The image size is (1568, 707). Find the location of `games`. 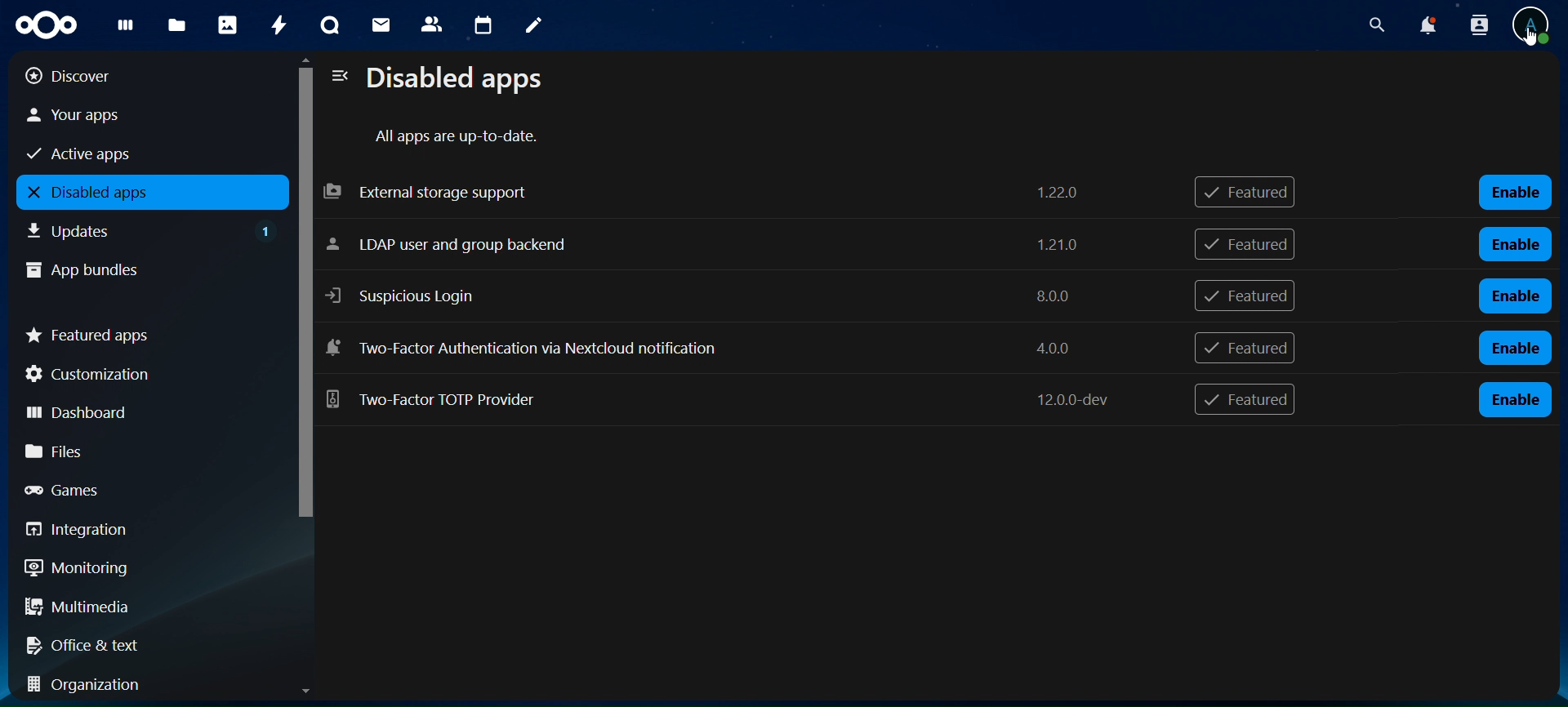

games is located at coordinates (141, 489).